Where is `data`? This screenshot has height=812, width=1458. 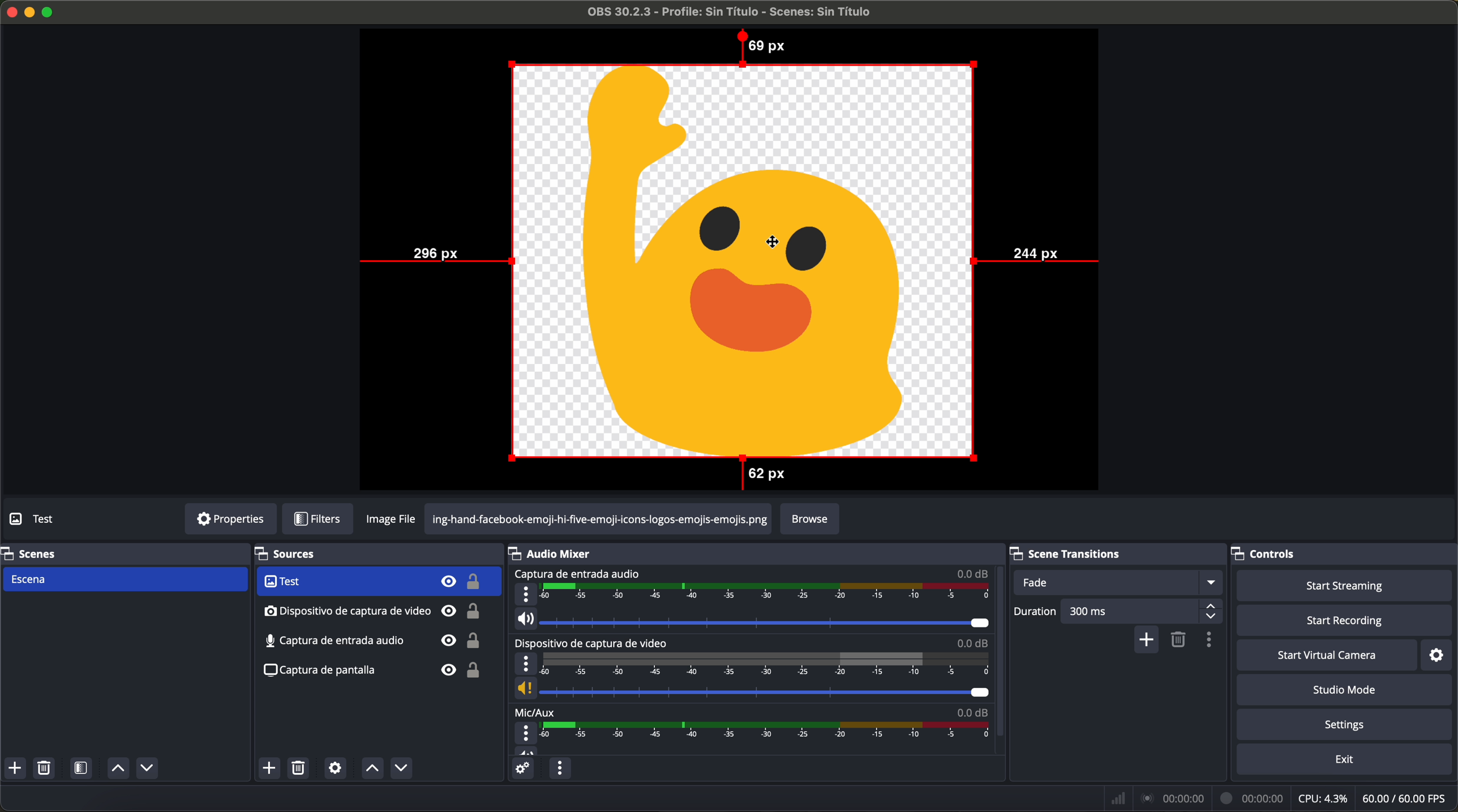 data is located at coordinates (1281, 798).